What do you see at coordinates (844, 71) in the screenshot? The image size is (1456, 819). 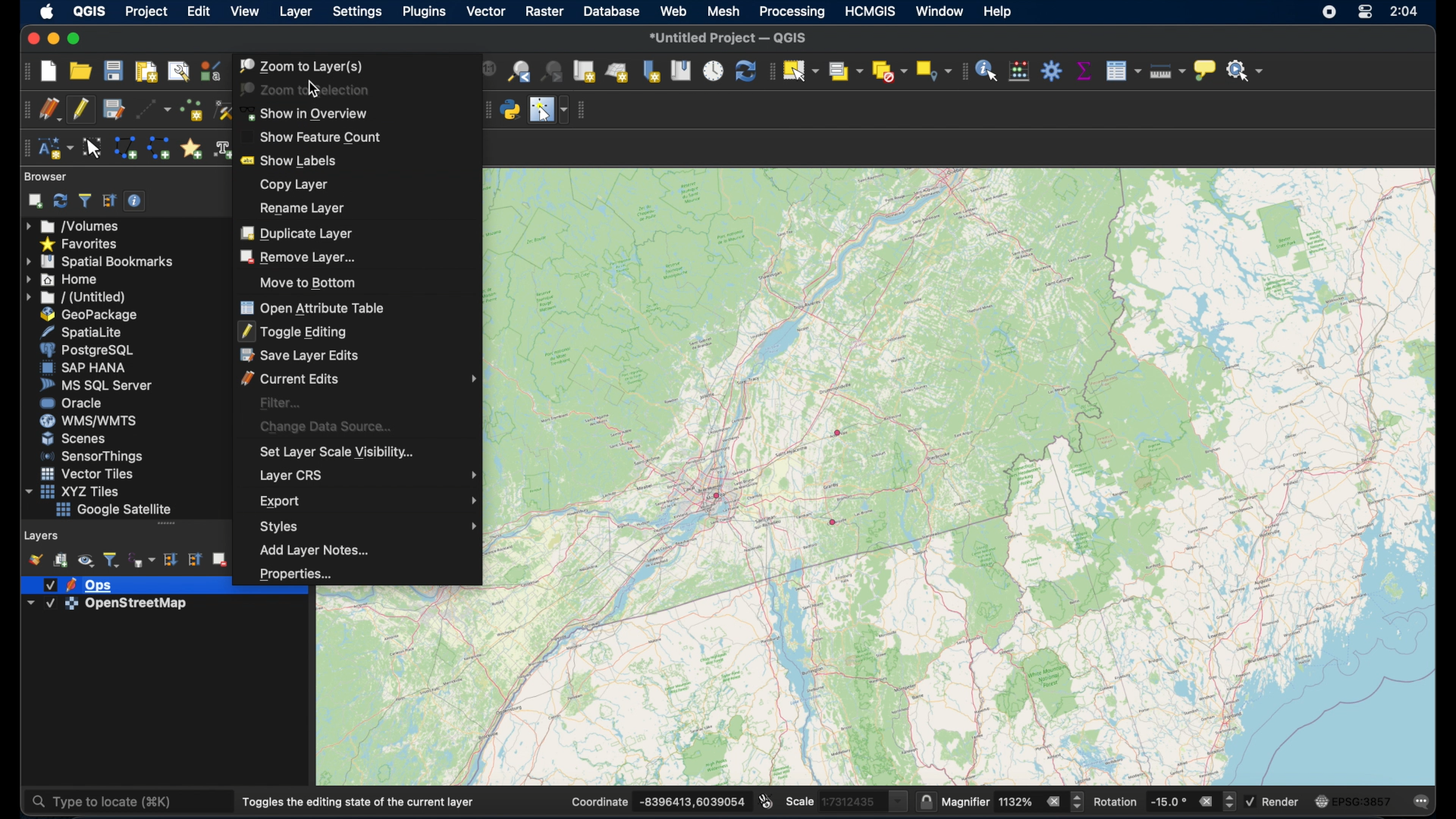 I see `select features by value` at bounding box center [844, 71].